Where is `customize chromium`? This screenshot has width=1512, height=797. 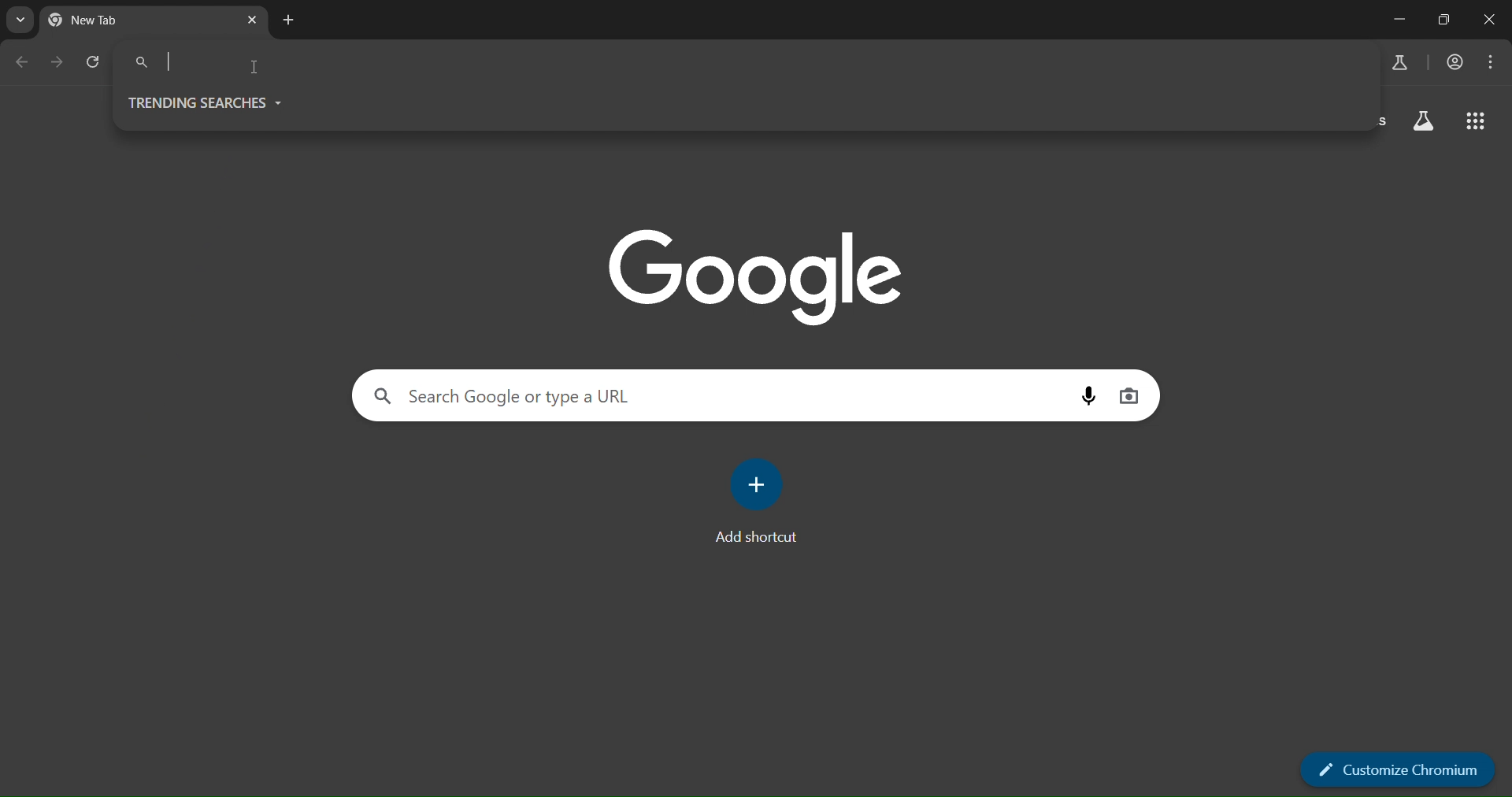
customize chromium is located at coordinates (1395, 767).